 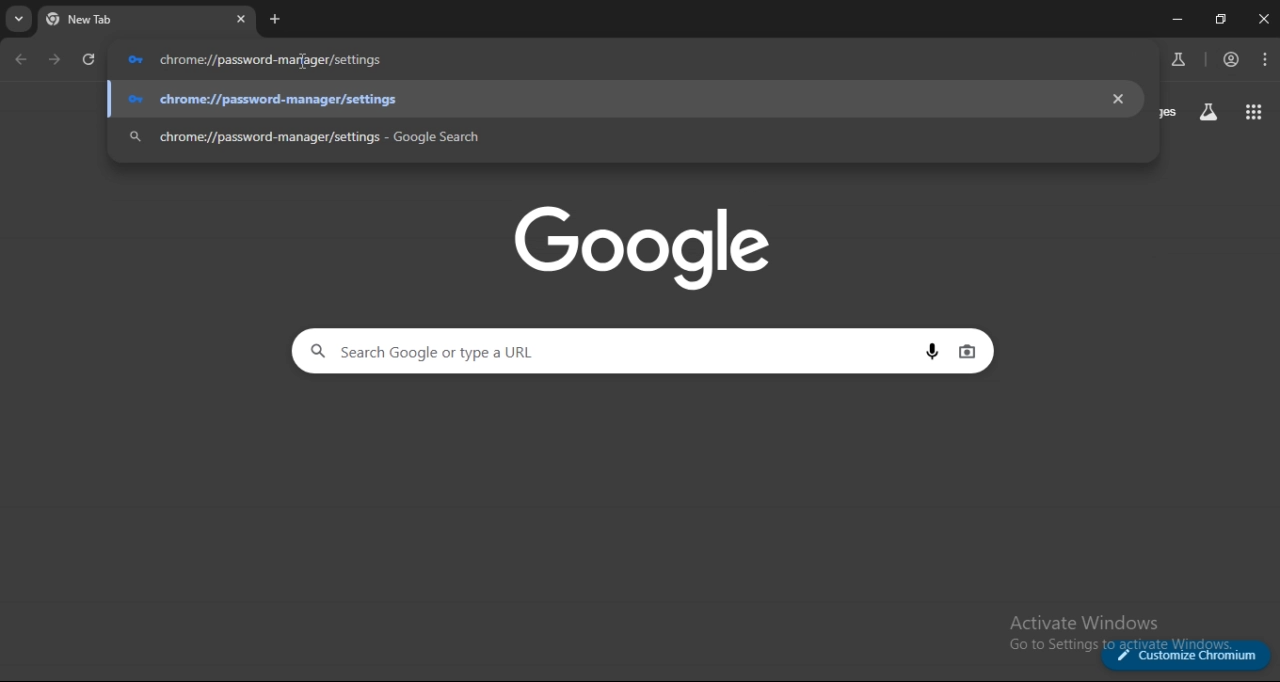 I want to click on remove, so click(x=1118, y=98).